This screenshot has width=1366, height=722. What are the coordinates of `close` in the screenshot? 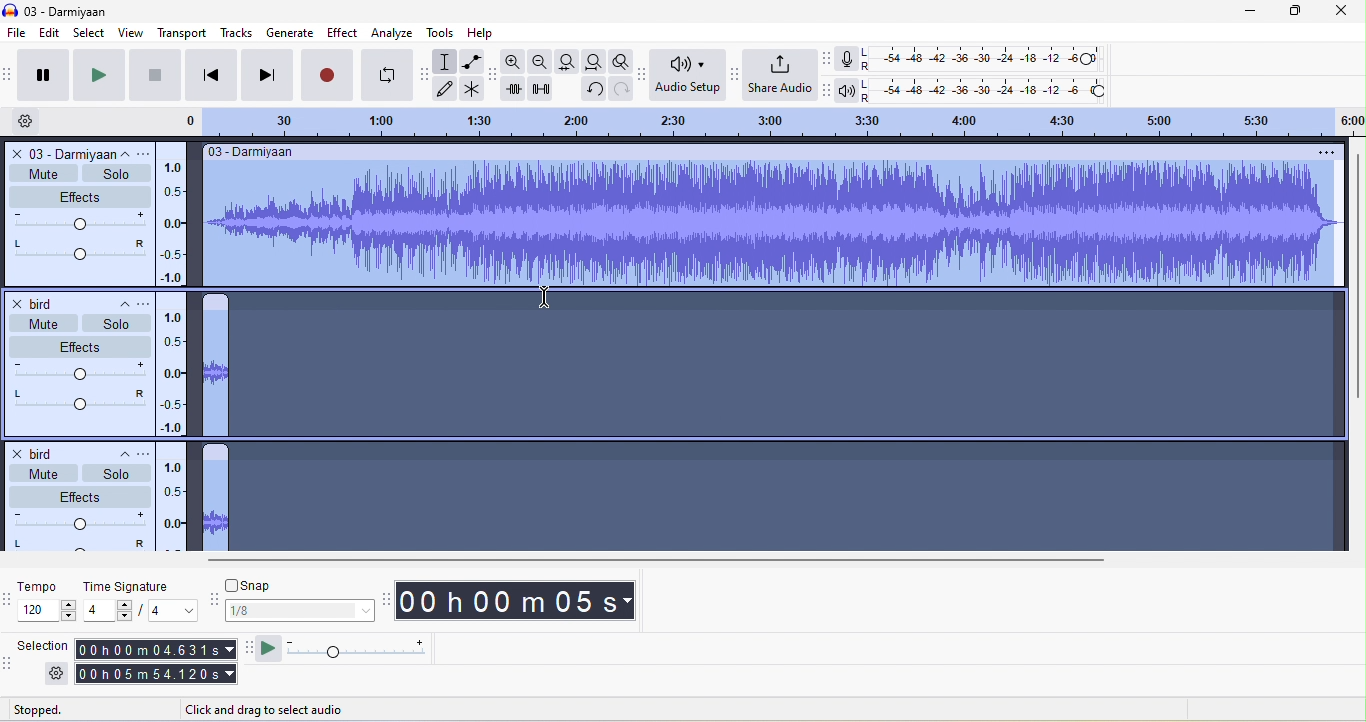 It's located at (1338, 11).